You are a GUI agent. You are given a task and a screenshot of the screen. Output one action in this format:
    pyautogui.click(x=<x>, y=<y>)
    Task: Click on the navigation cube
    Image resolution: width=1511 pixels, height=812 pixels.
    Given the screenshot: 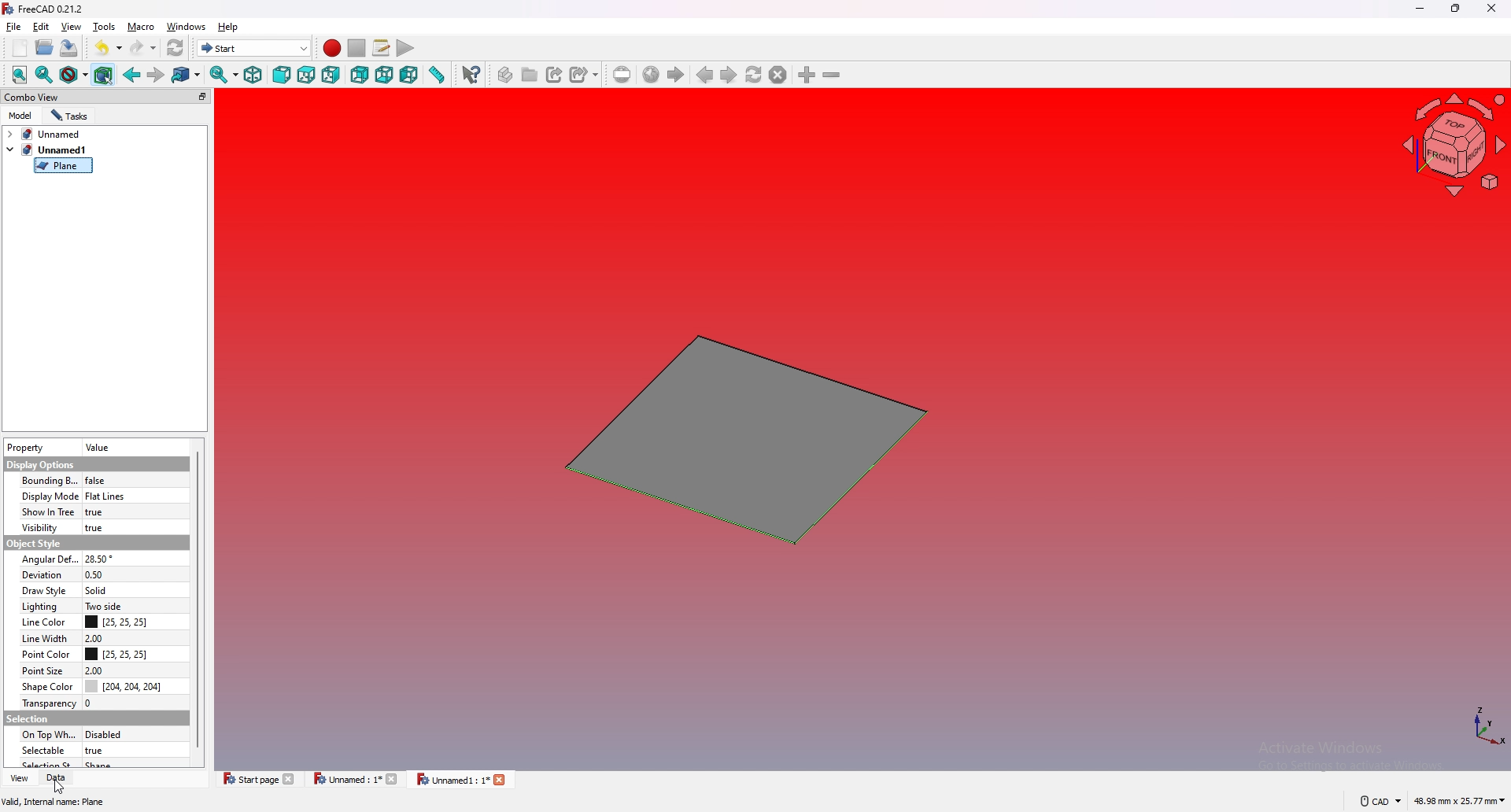 What is the action you would take?
    pyautogui.click(x=1452, y=146)
    